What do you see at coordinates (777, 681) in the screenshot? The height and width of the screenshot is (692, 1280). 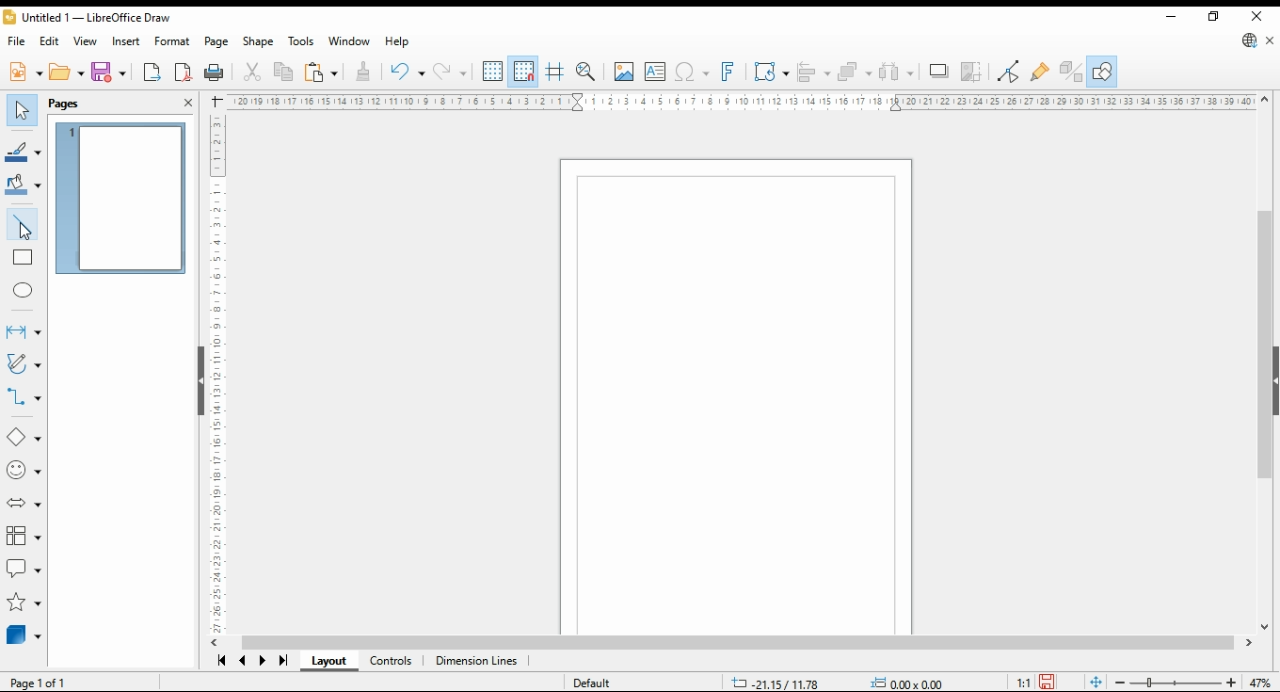 I see `-21.15/11.78` at bounding box center [777, 681].